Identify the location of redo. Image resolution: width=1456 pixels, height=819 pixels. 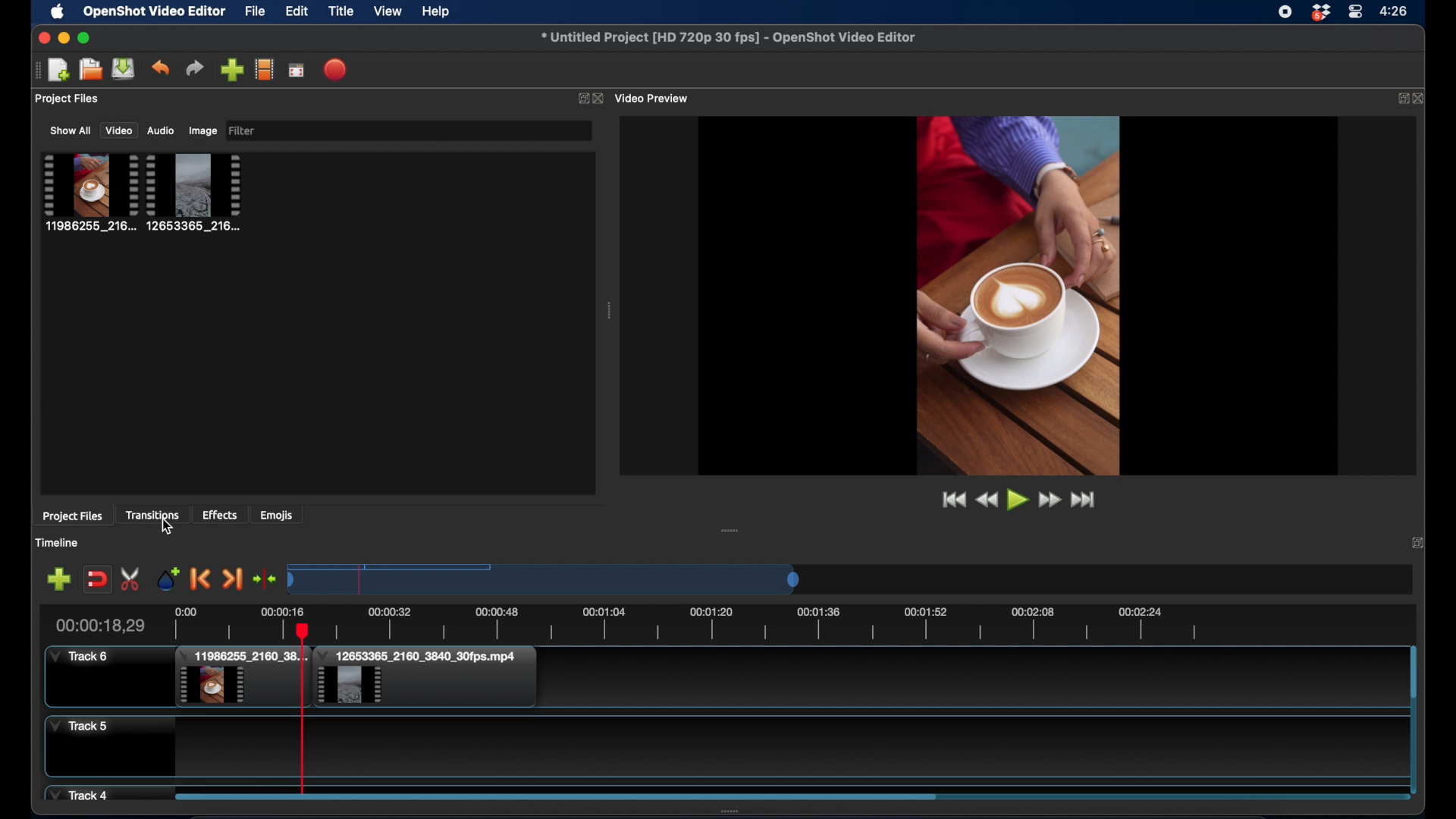
(195, 68).